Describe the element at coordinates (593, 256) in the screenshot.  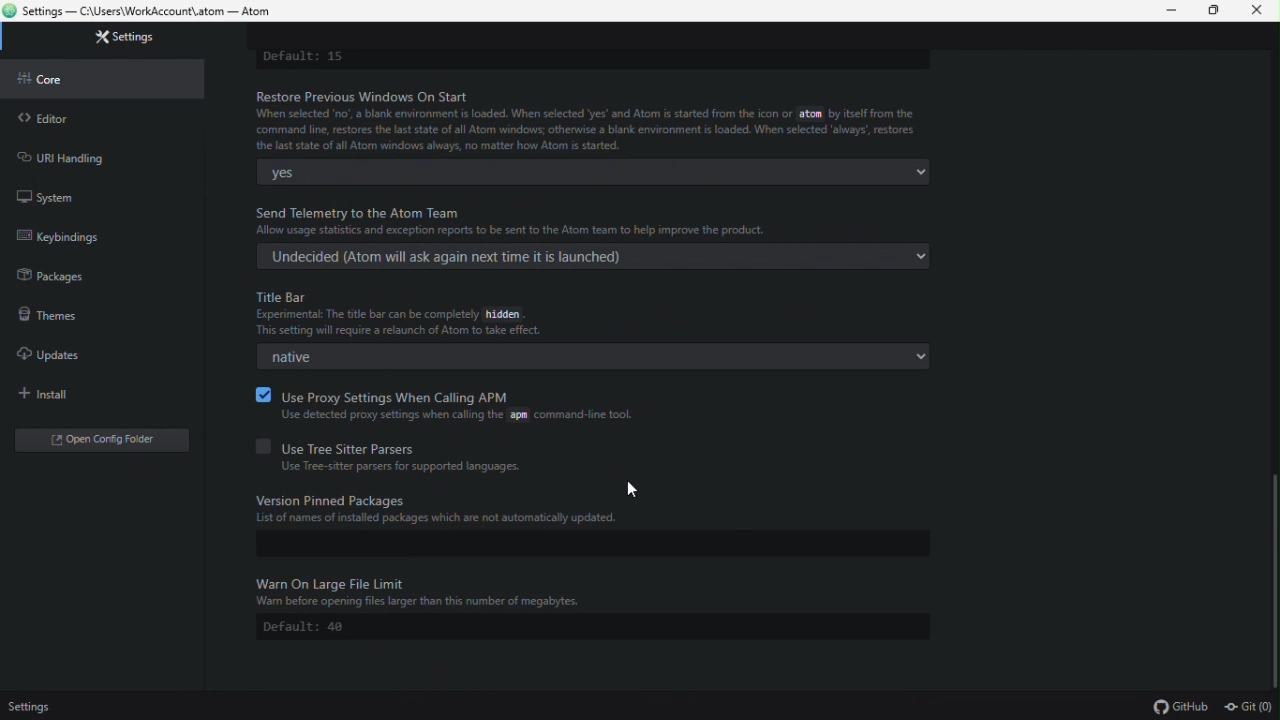
I see `undecided` at that location.